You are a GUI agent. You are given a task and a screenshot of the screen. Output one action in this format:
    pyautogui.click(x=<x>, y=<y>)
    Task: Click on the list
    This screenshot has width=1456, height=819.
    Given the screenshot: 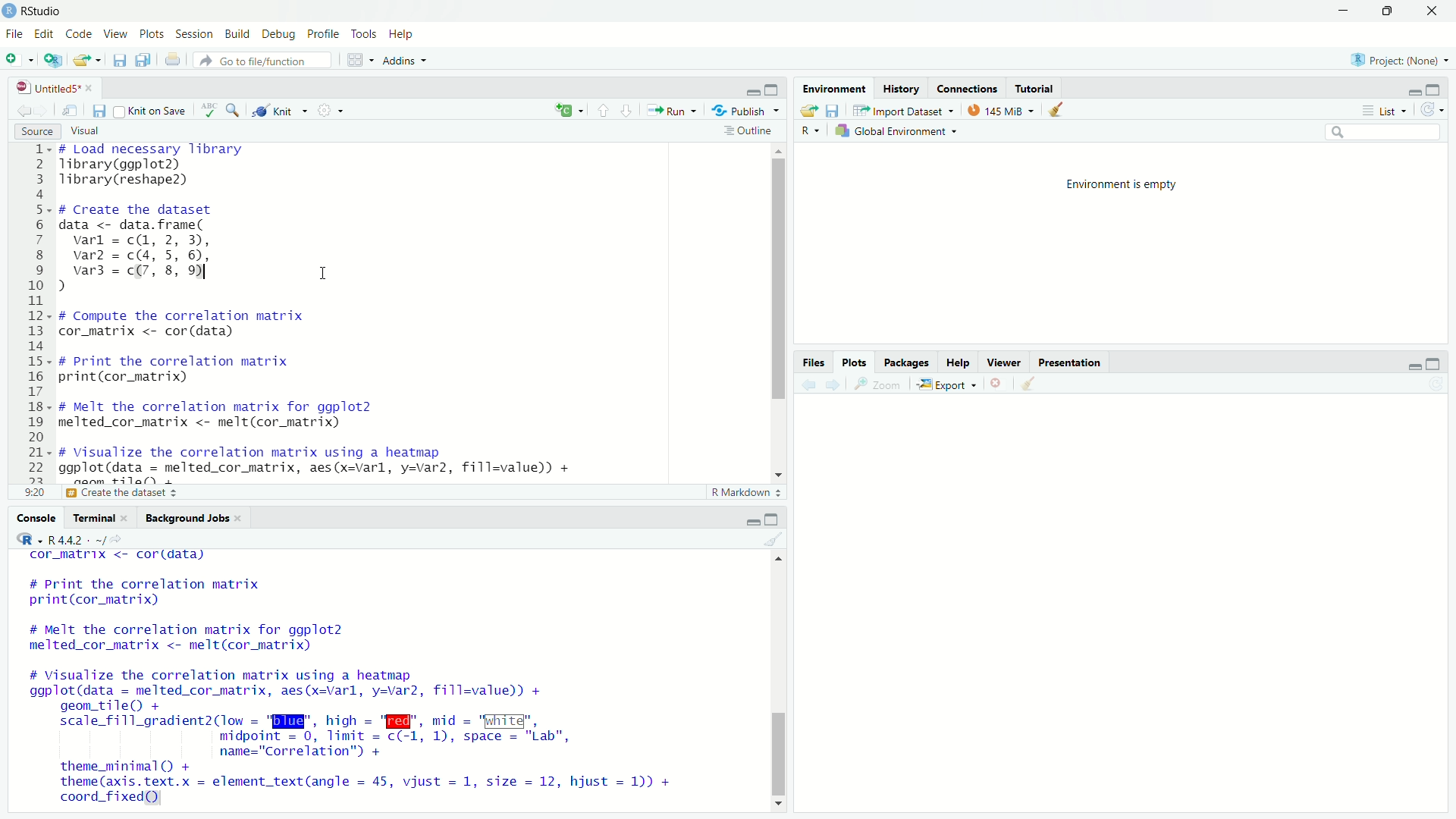 What is the action you would take?
    pyautogui.click(x=1385, y=110)
    